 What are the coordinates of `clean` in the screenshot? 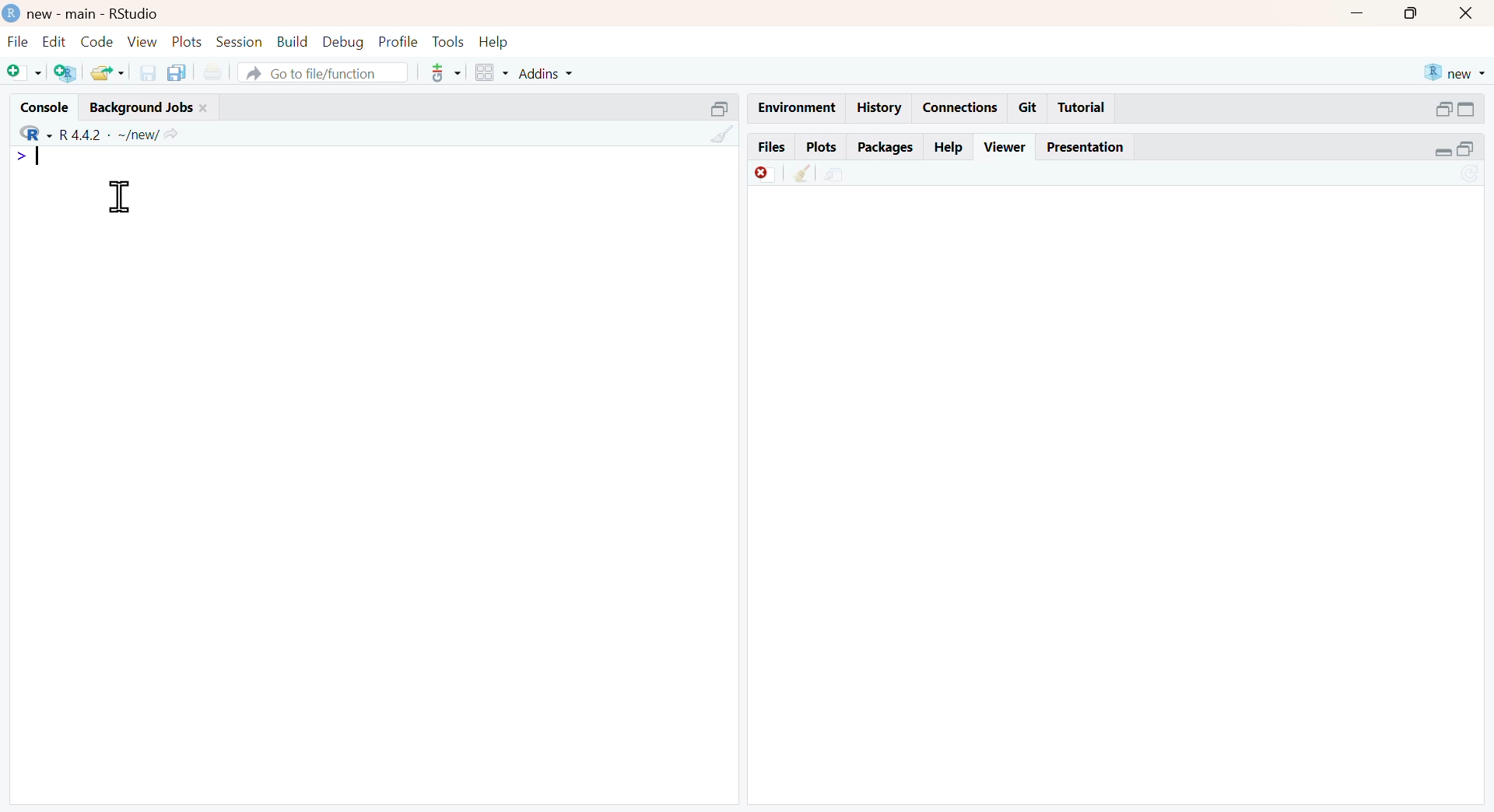 It's located at (801, 174).